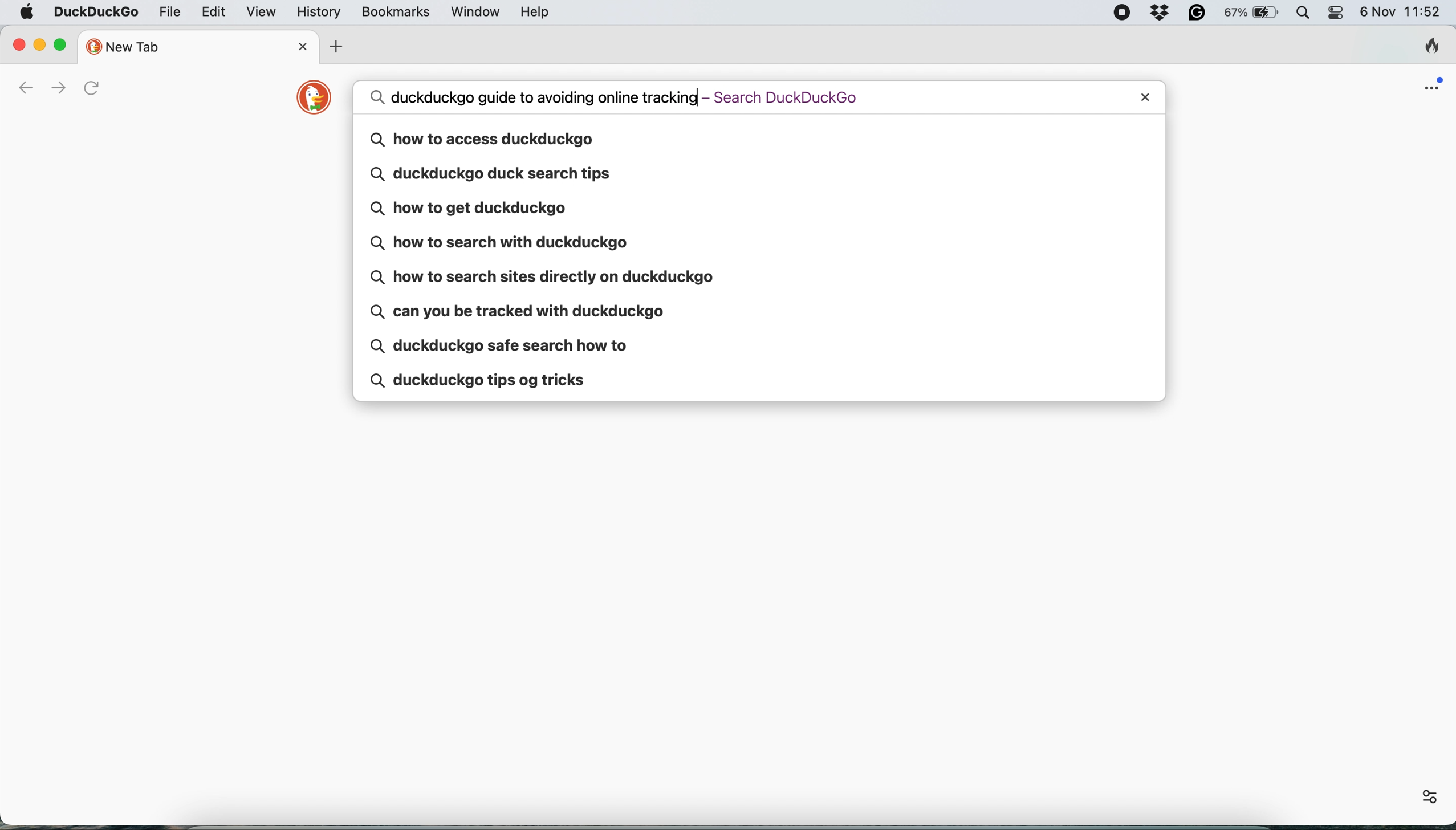  I want to click on screen recorder, so click(1121, 13).